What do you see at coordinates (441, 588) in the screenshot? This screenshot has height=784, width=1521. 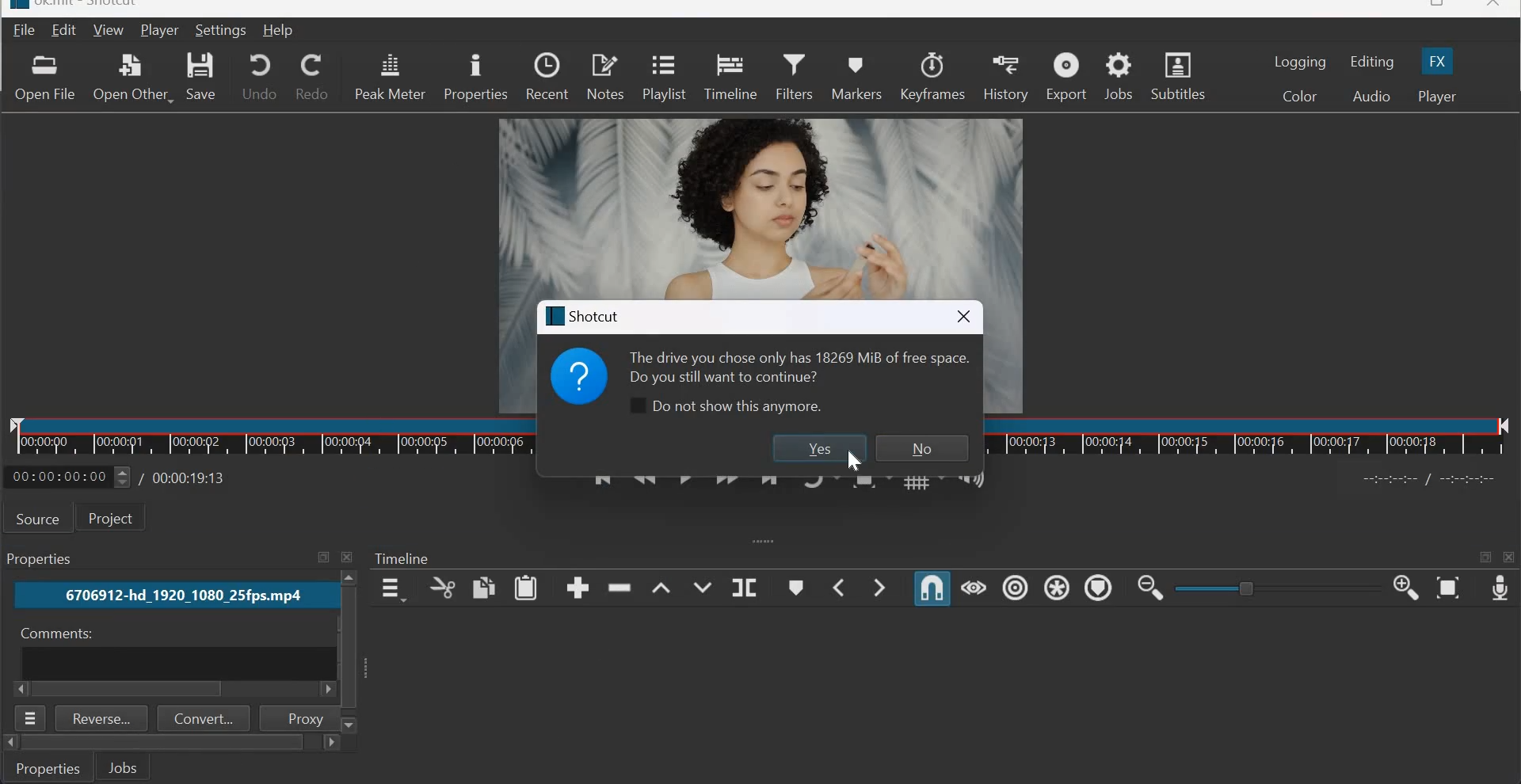 I see `cut` at bounding box center [441, 588].